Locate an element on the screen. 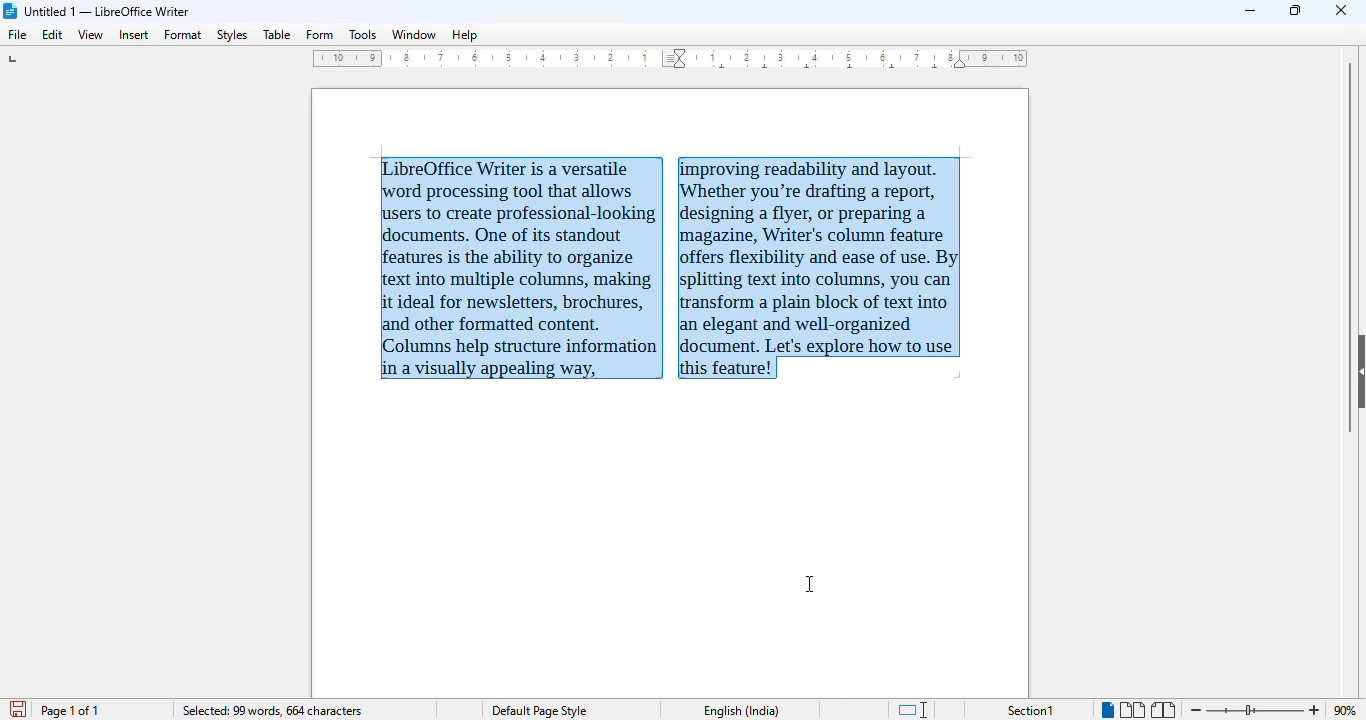  minimize is located at coordinates (1252, 11).